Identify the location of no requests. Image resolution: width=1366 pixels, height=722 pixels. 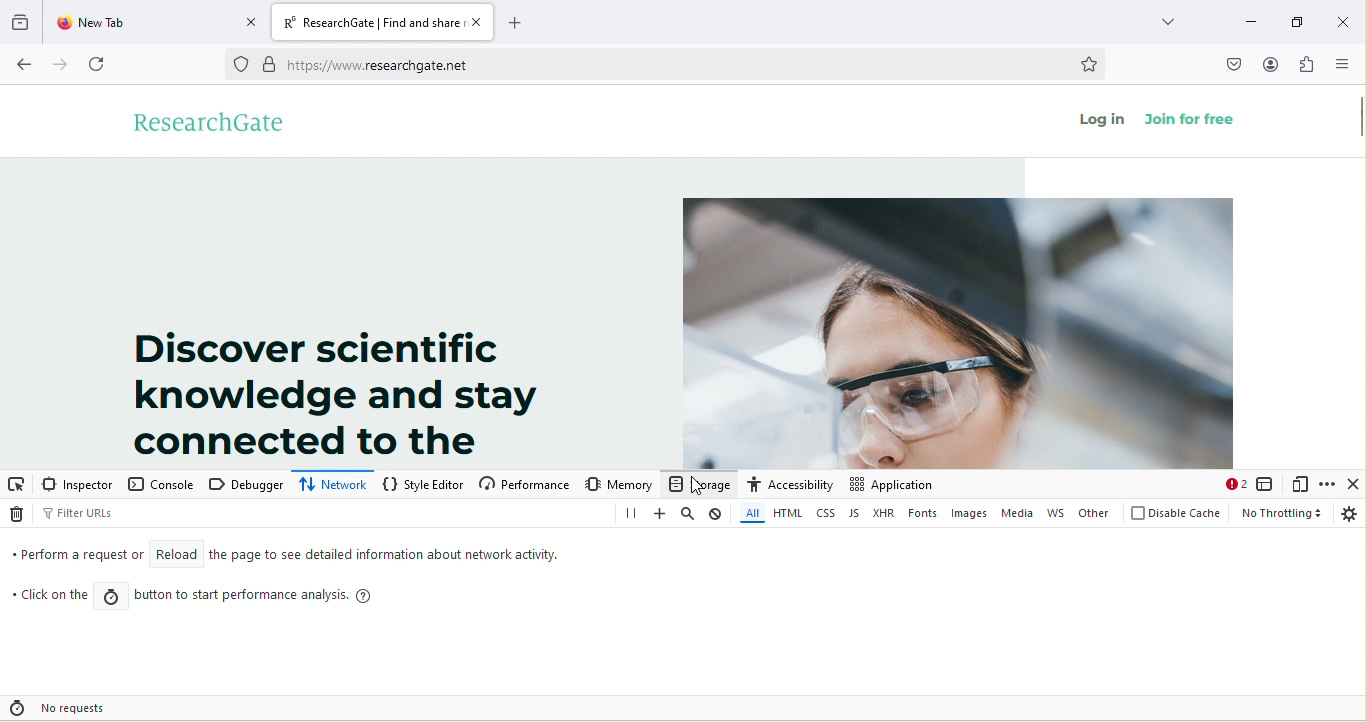
(62, 708).